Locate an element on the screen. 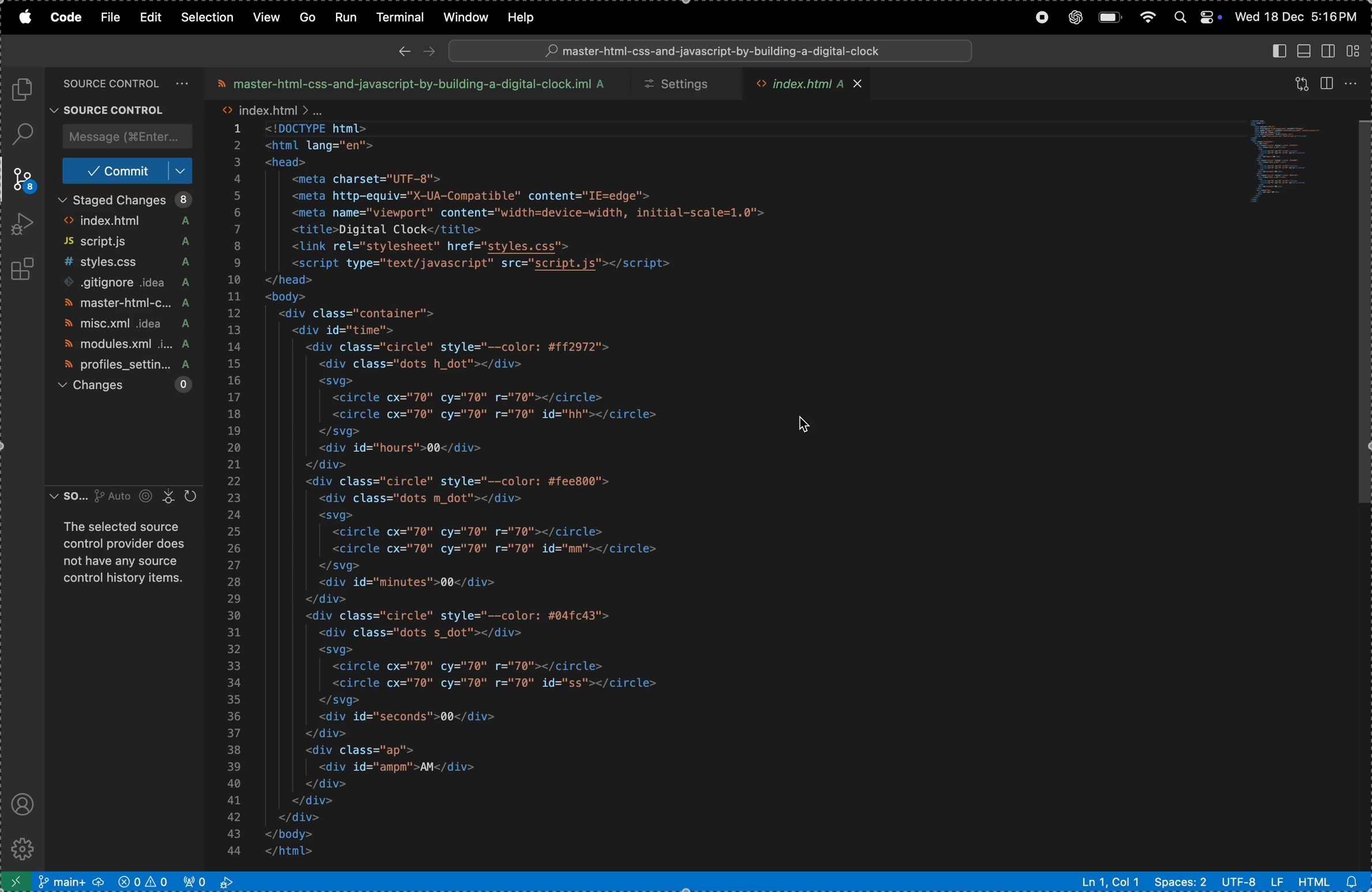  view is located at coordinates (265, 16).